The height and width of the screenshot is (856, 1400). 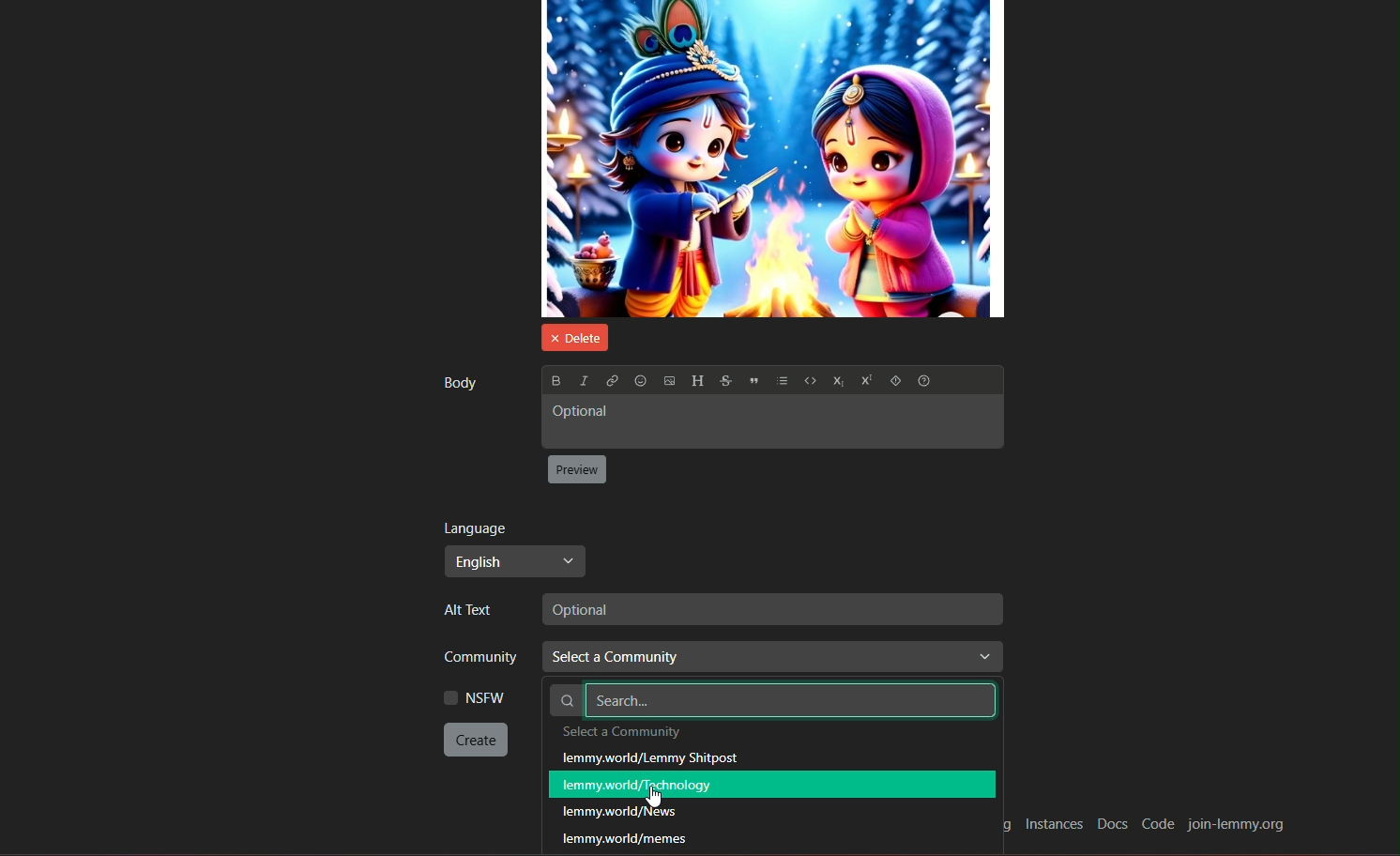 What do you see at coordinates (578, 470) in the screenshot?
I see `Preview` at bounding box center [578, 470].